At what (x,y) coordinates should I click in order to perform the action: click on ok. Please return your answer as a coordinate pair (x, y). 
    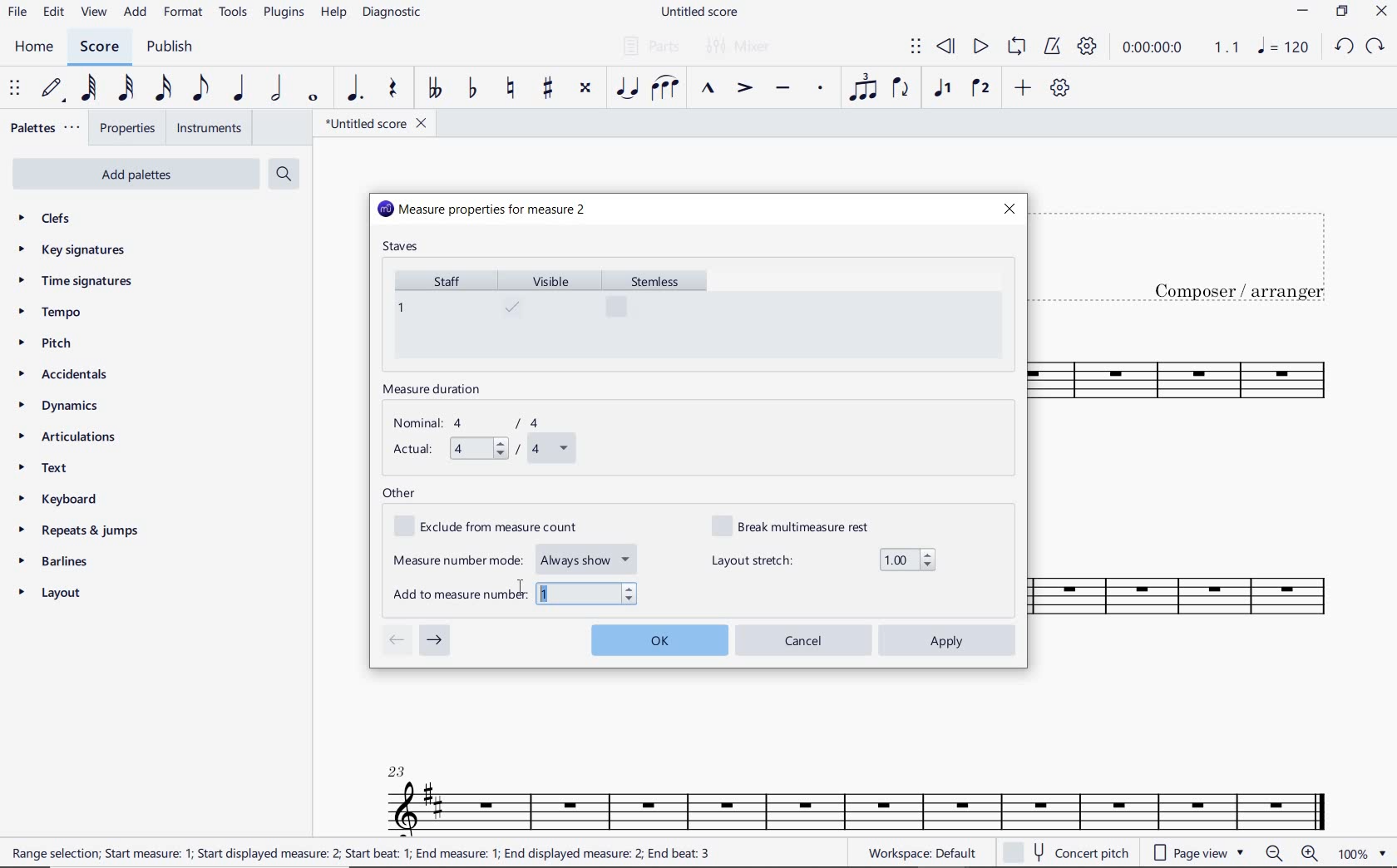
    Looking at the image, I should click on (659, 638).